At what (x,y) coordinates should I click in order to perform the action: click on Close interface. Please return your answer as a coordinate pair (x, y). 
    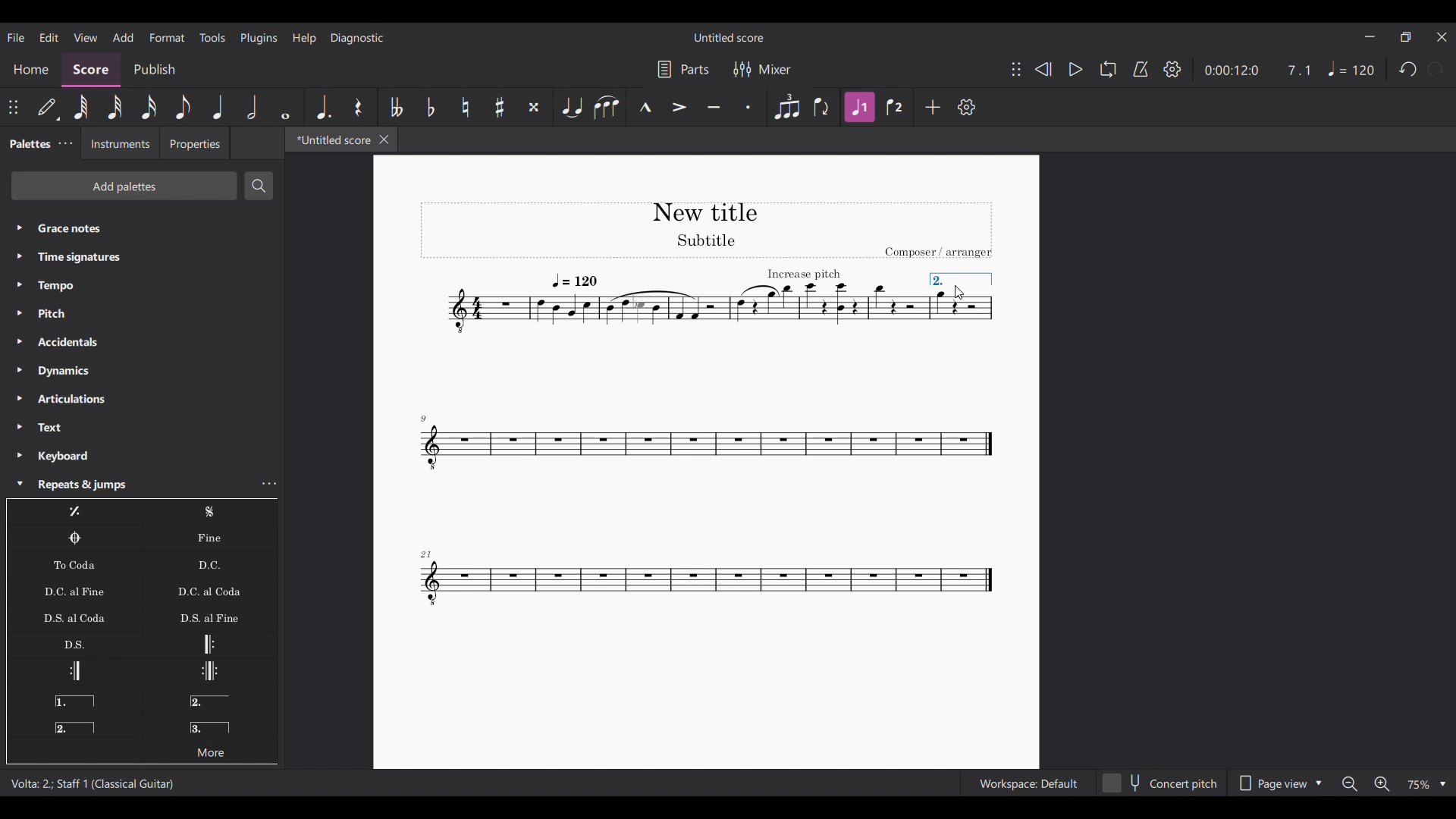
    Looking at the image, I should click on (1442, 37).